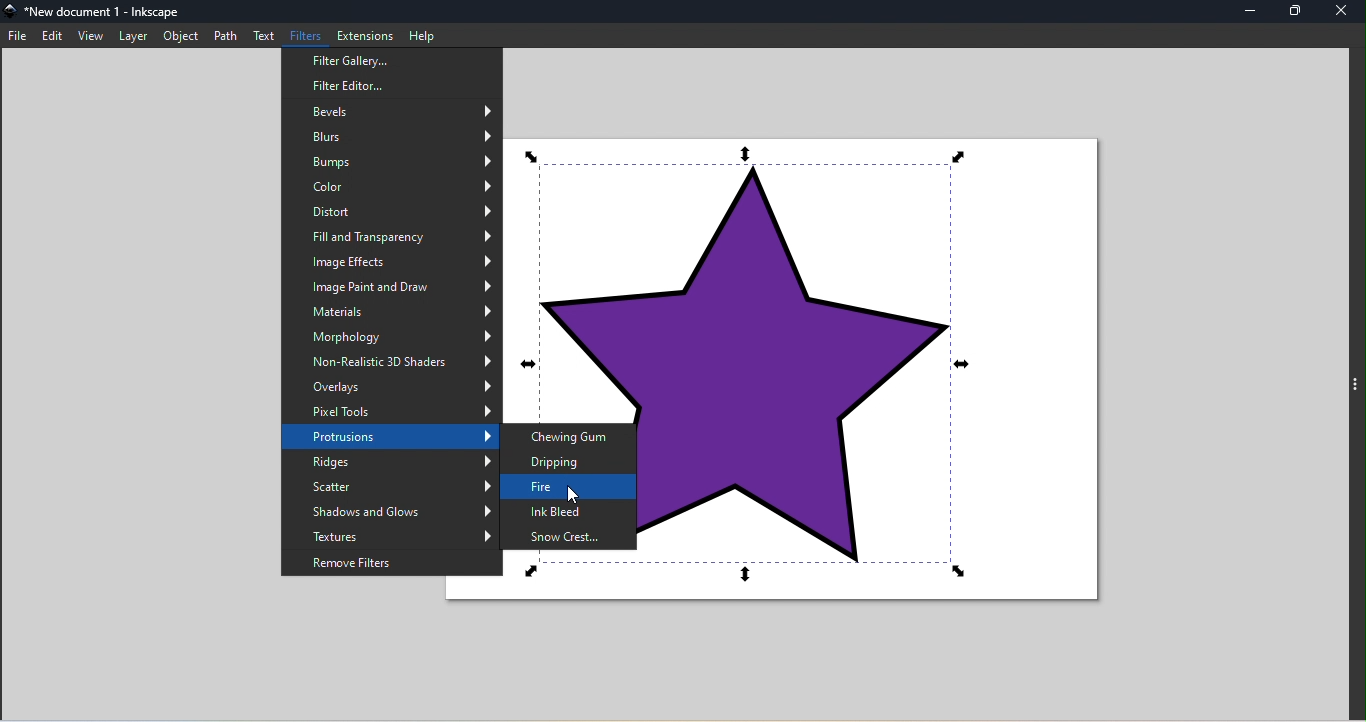 The image size is (1366, 722). What do you see at coordinates (18, 38) in the screenshot?
I see `File` at bounding box center [18, 38].